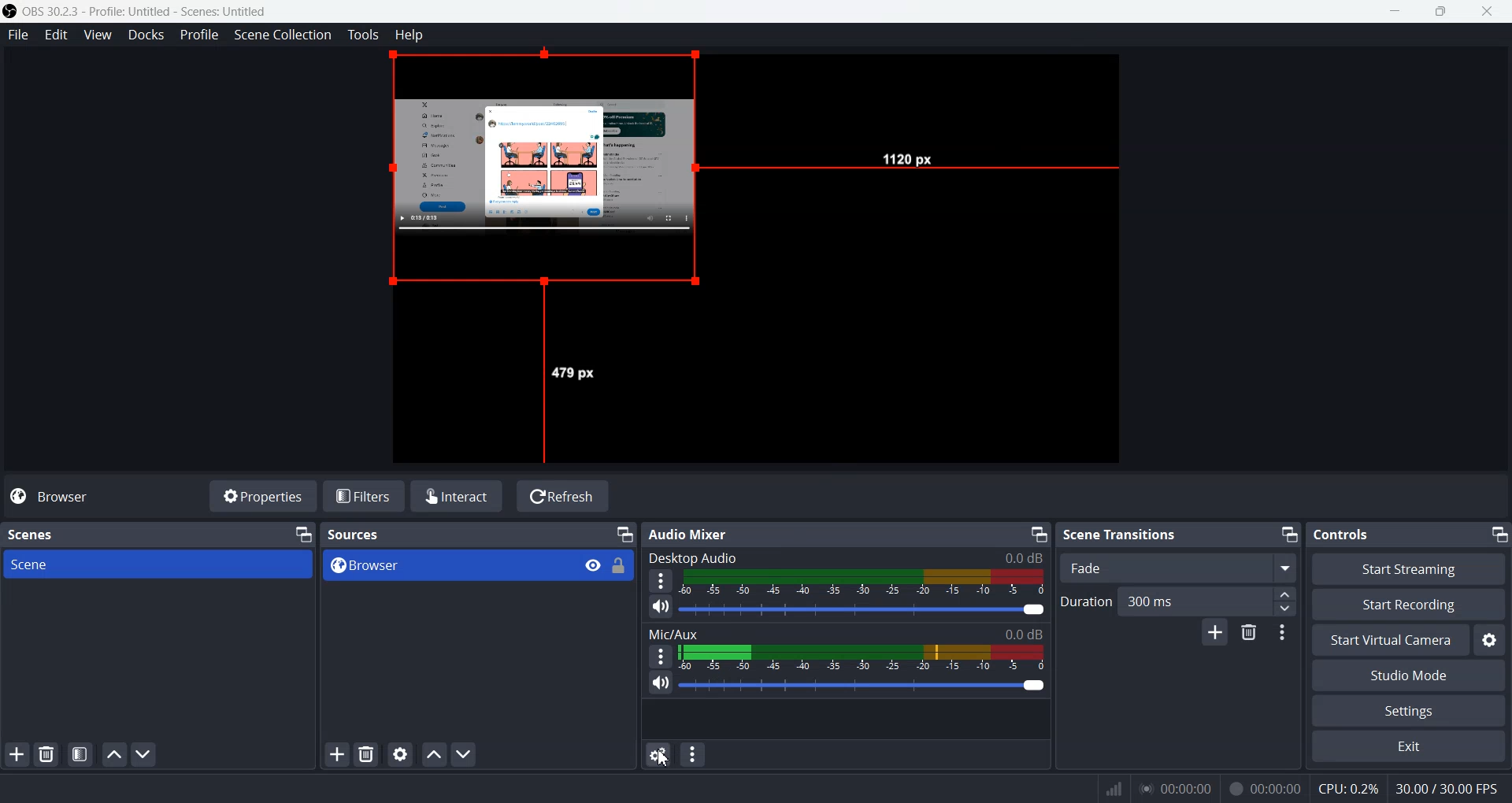  I want to click on Desktop Audio 0.0 dB, so click(845, 557).